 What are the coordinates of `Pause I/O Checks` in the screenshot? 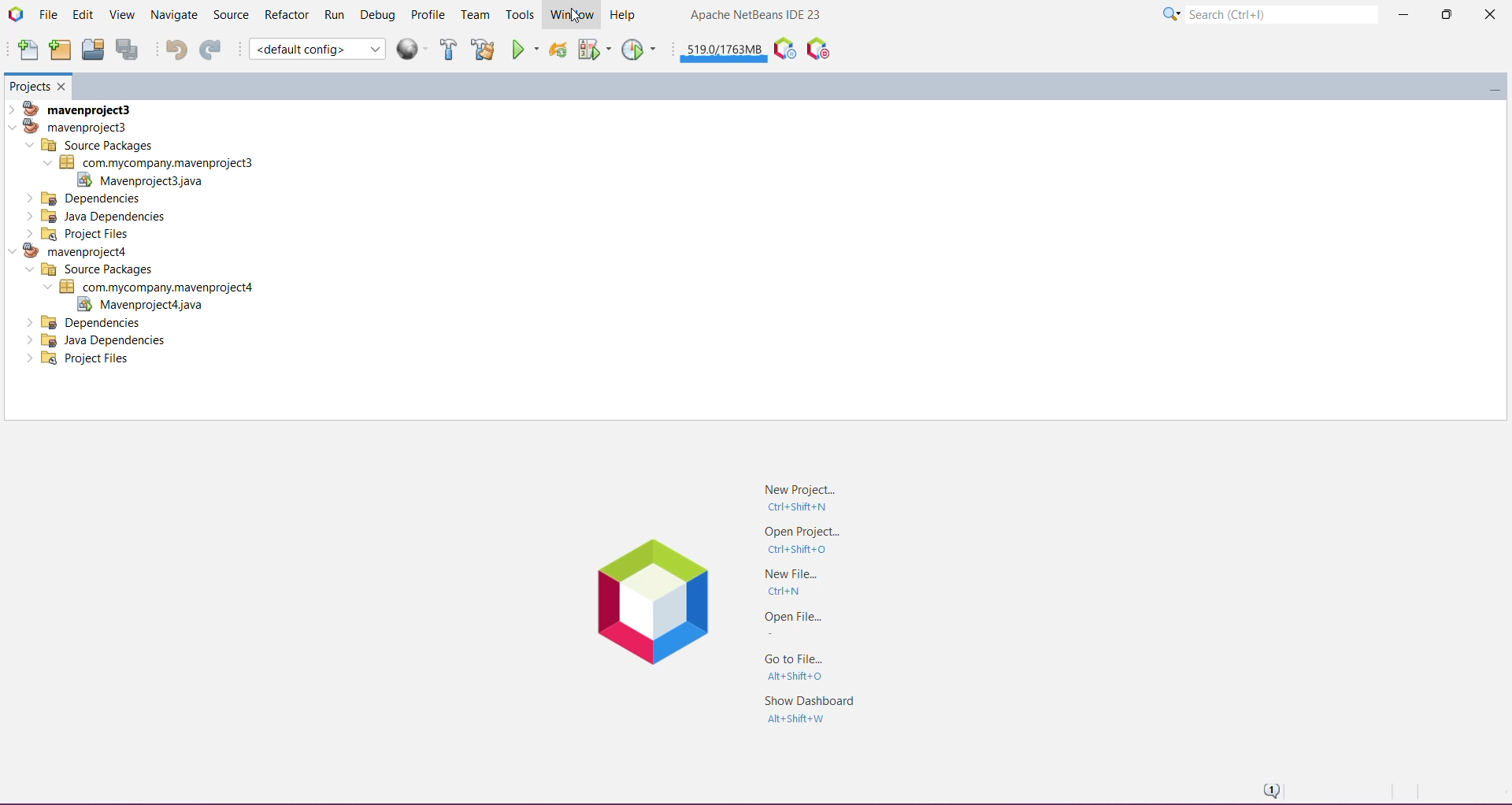 It's located at (817, 49).